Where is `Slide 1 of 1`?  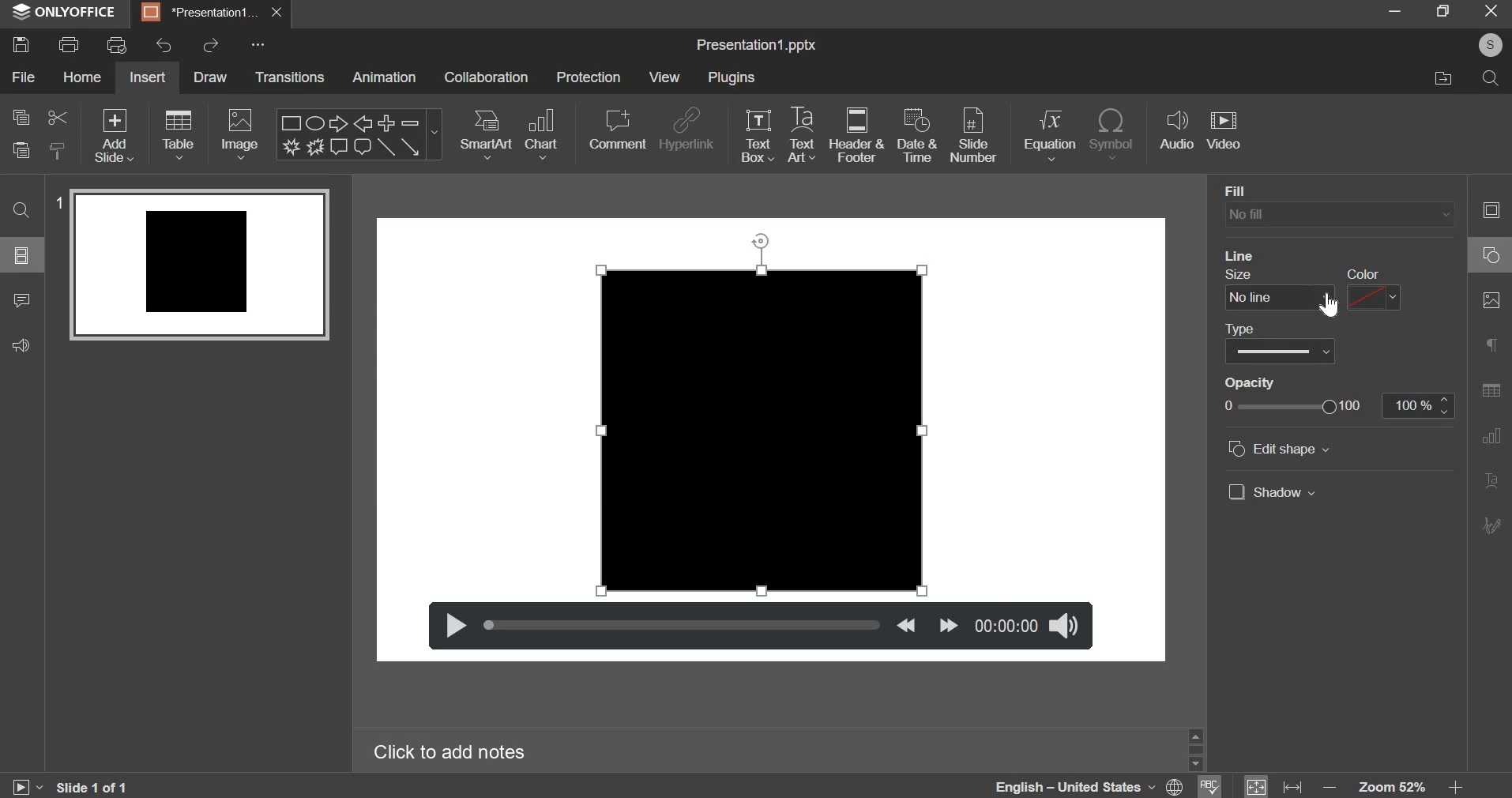
Slide 1 of 1 is located at coordinates (96, 786).